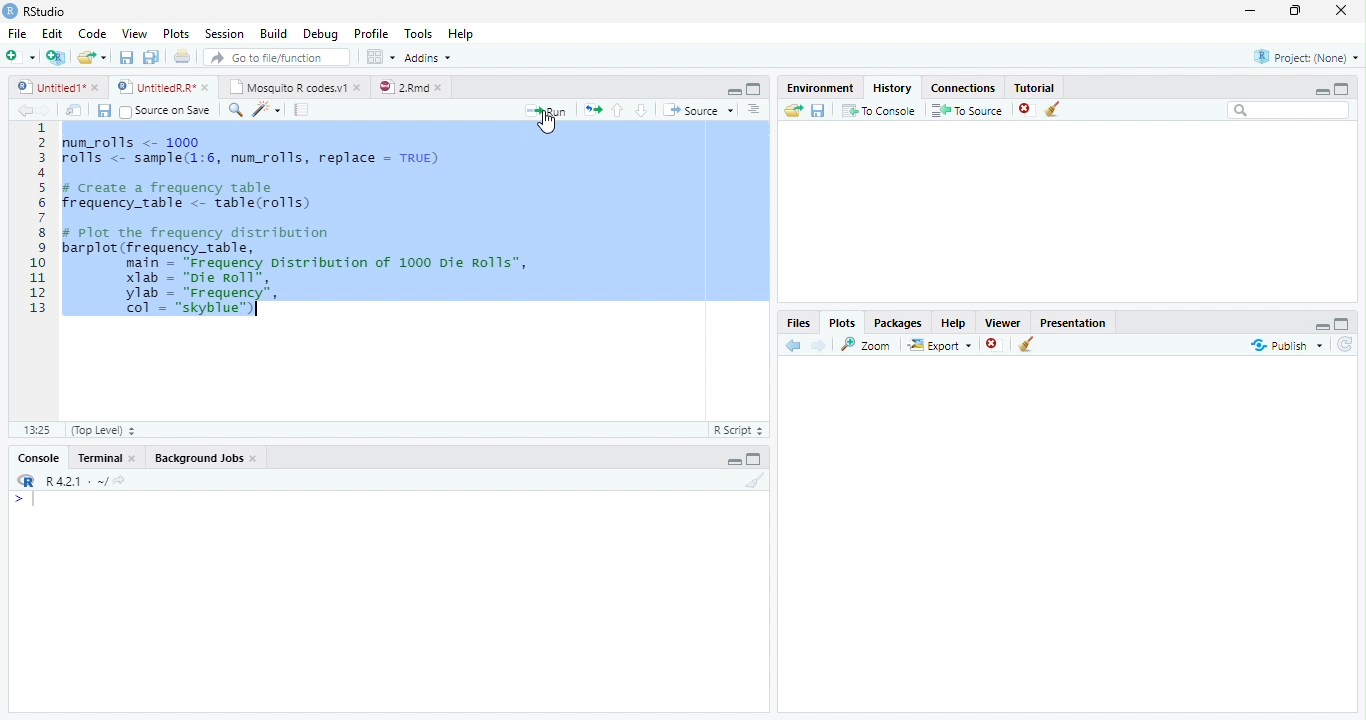 The height and width of the screenshot is (720, 1366). I want to click on Console, so click(386, 601).